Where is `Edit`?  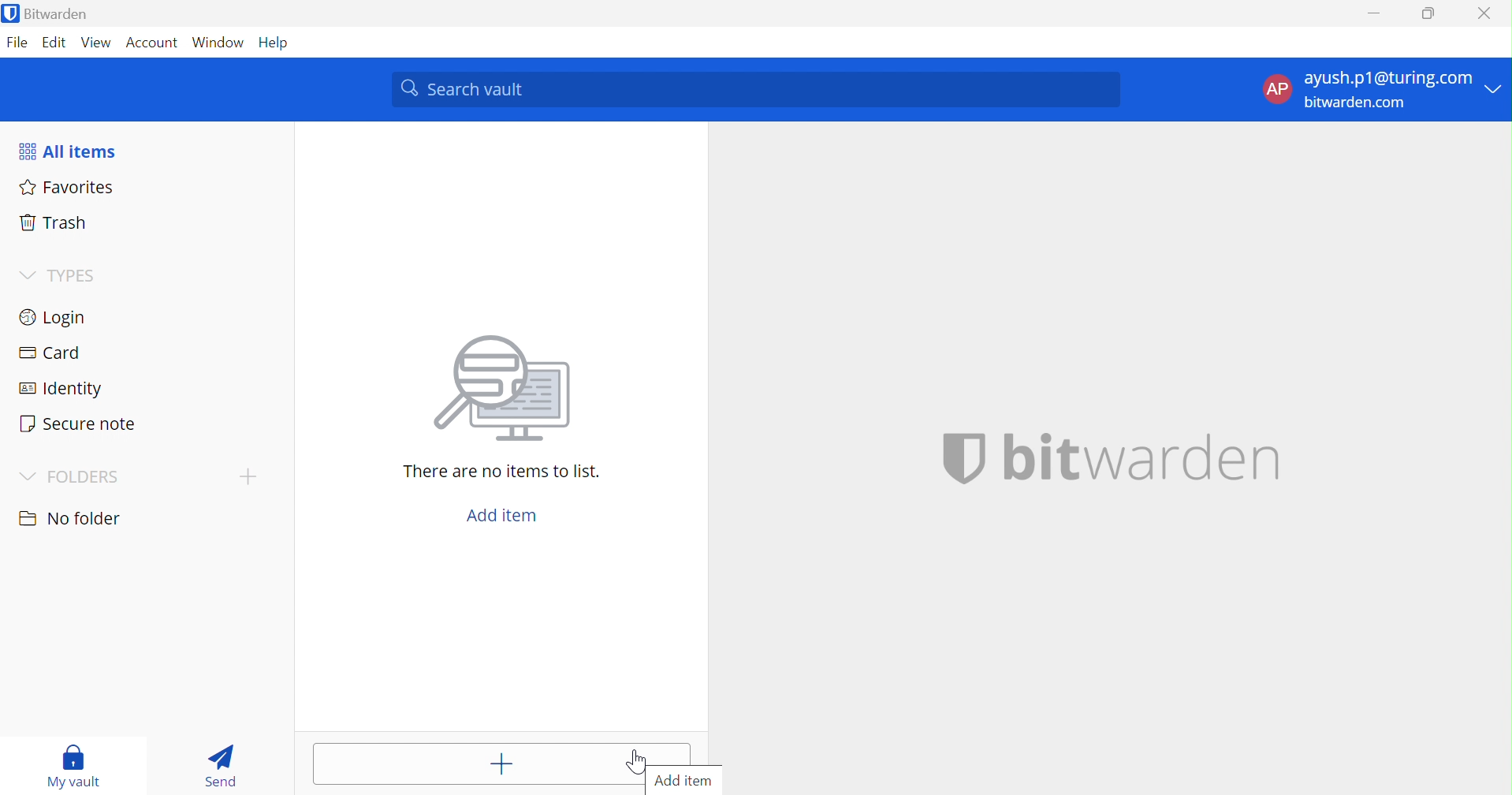 Edit is located at coordinates (51, 42).